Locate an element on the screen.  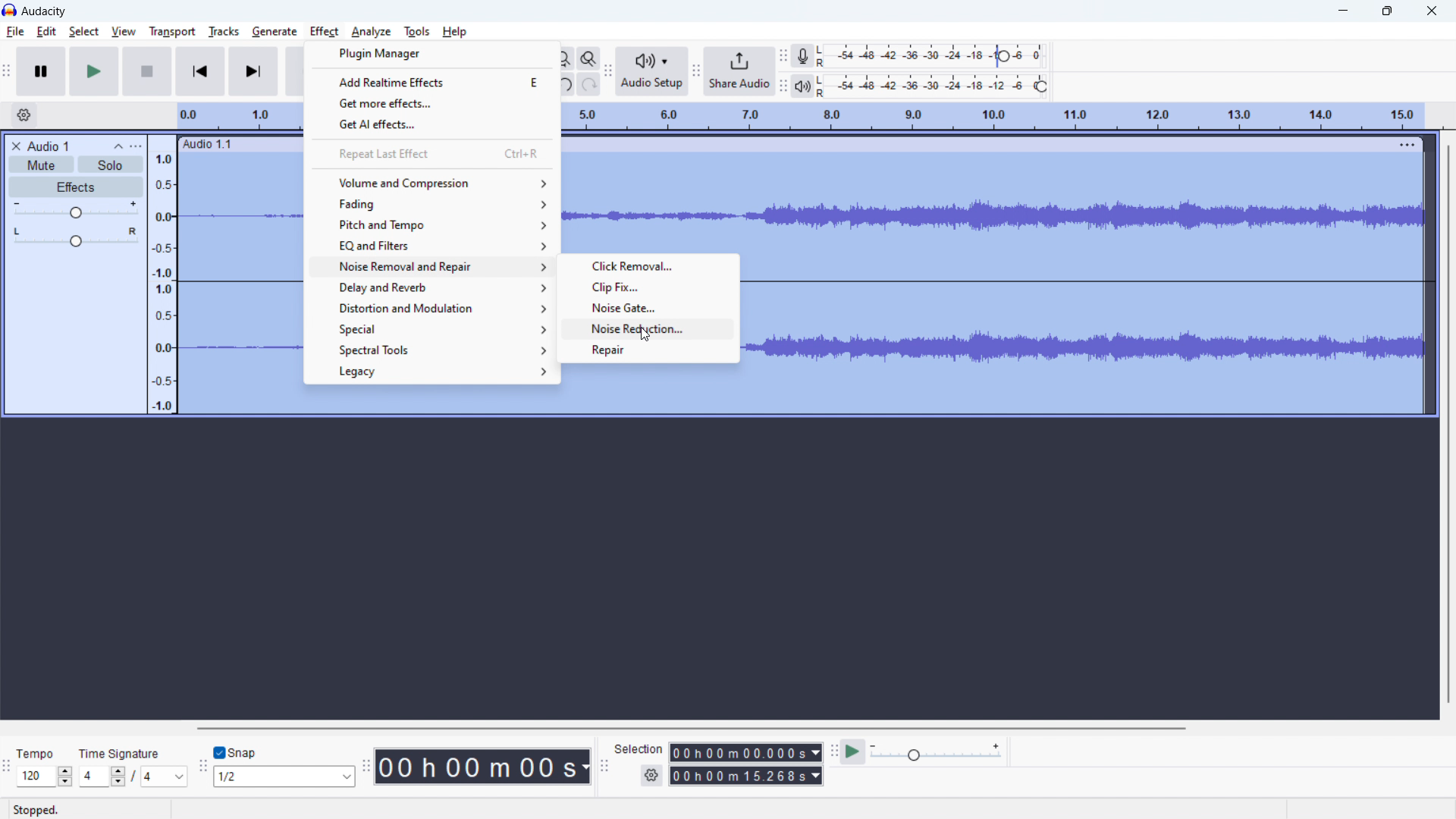
mute is located at coordinates (41, 165).